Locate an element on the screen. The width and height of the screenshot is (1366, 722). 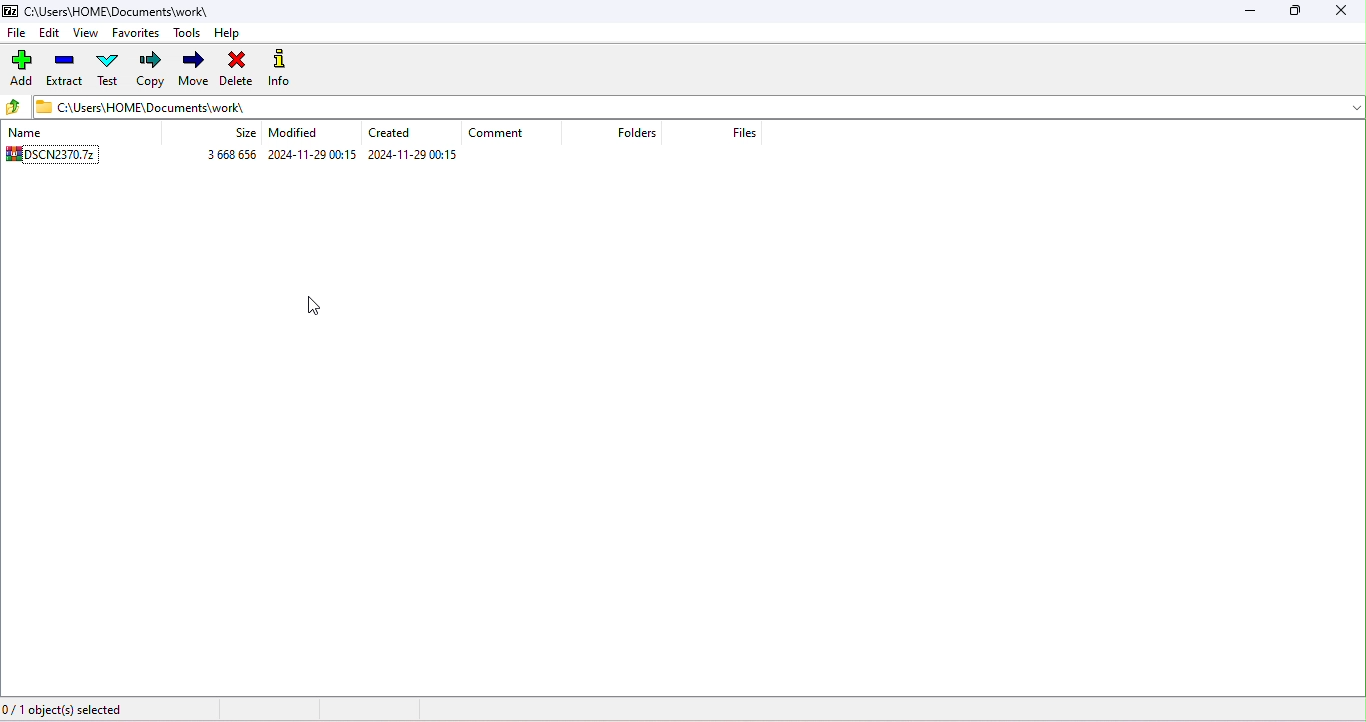
0/1 objects selected is located at coordinates (68, 710).